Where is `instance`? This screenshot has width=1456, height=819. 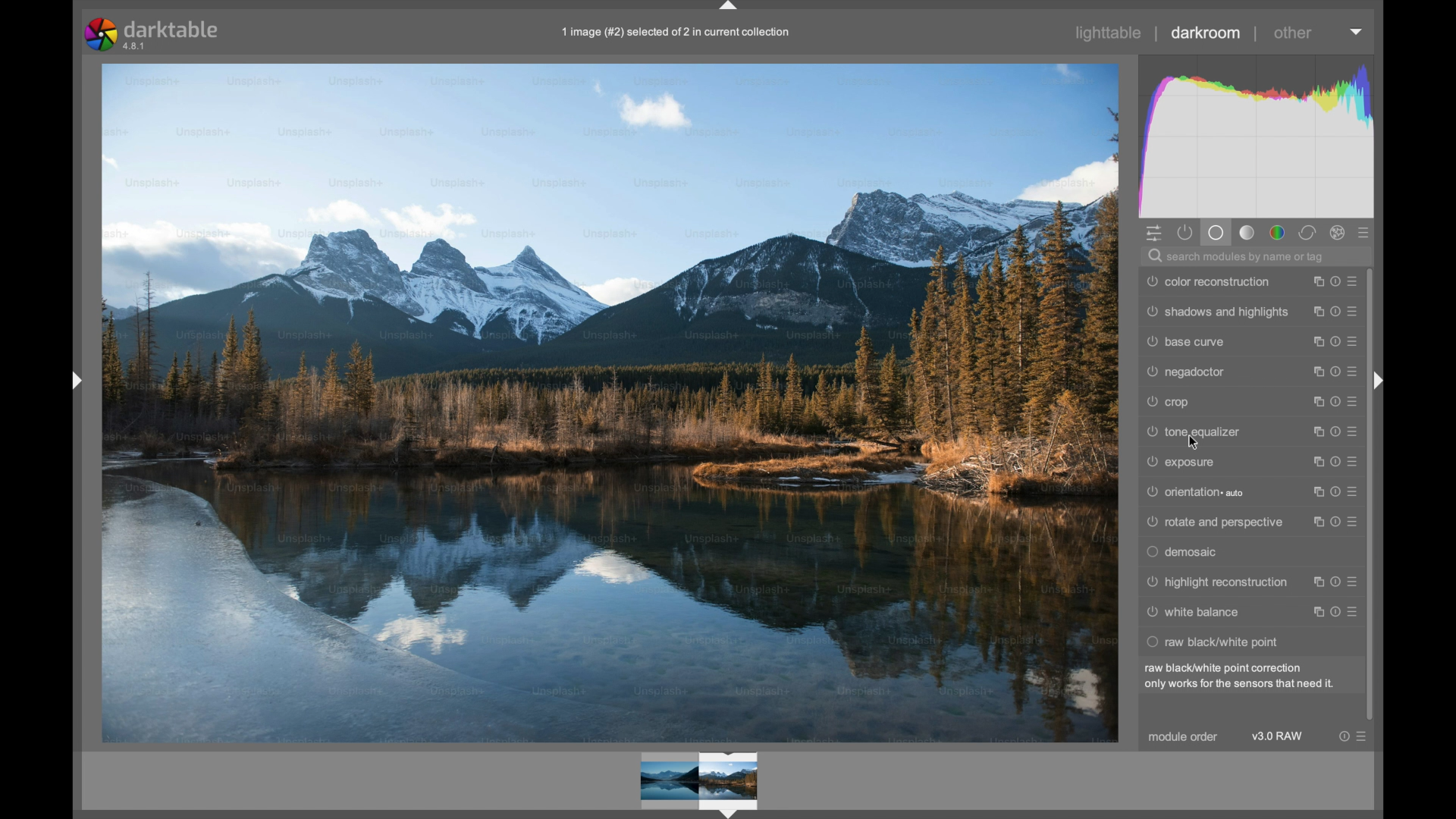
instance is located at coordinates (1313, 370).